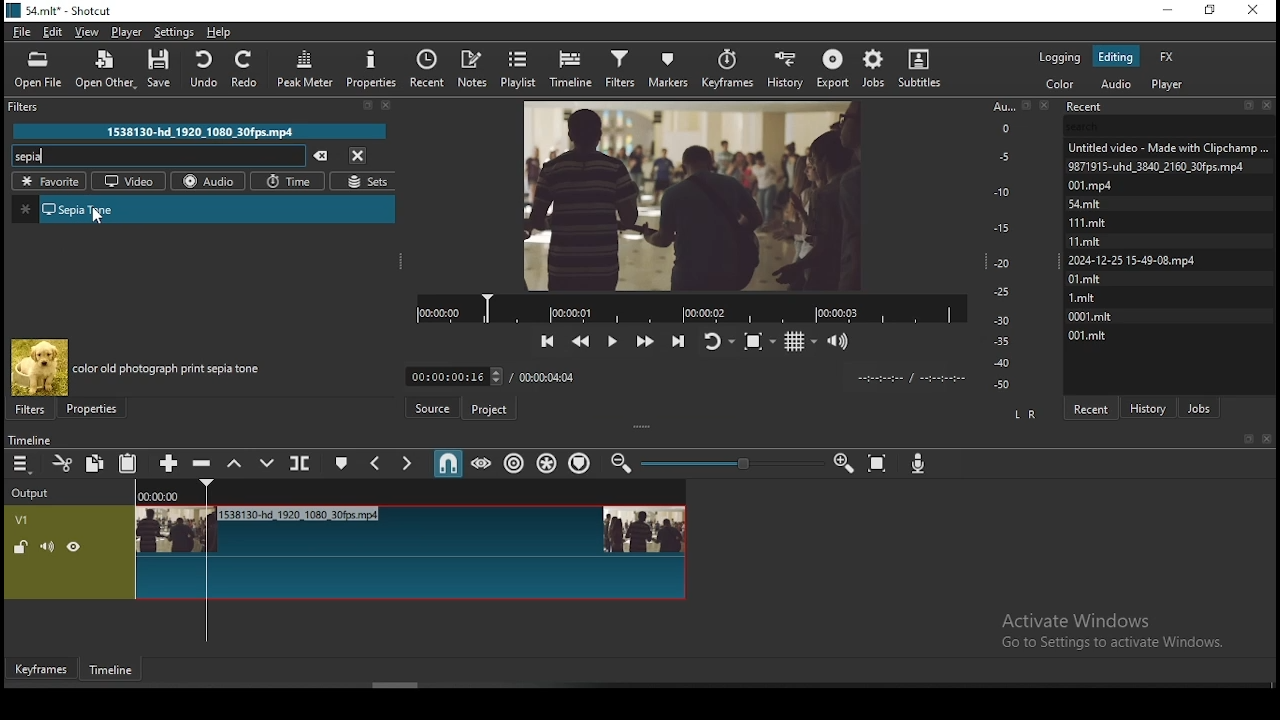 This screenshot has height=720, width=1280. What do you see at coordinates (1168, 57) in the screenshot?
I see `fx` at bounding box center [1168, 57].